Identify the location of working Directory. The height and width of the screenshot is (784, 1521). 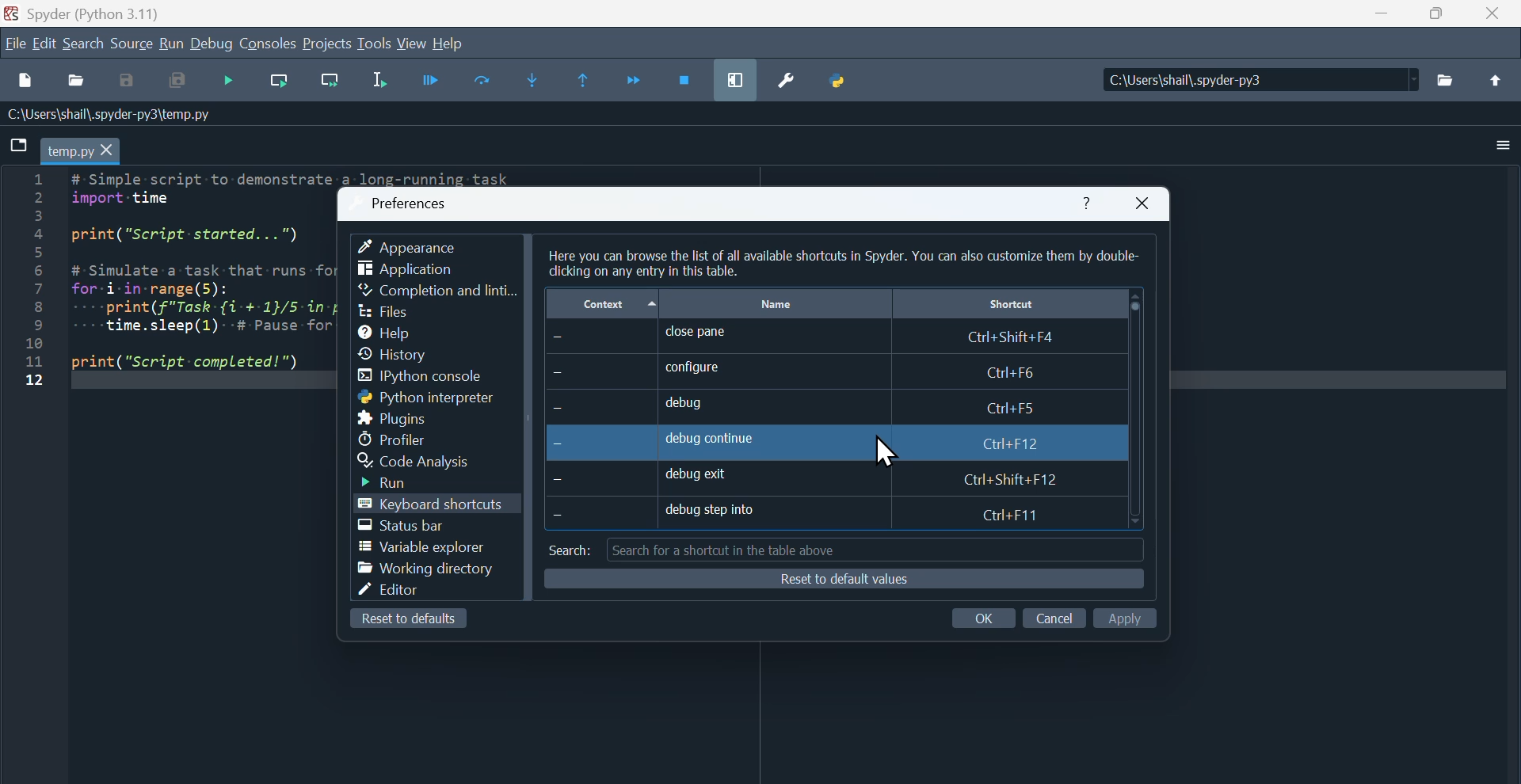
(426, 571).